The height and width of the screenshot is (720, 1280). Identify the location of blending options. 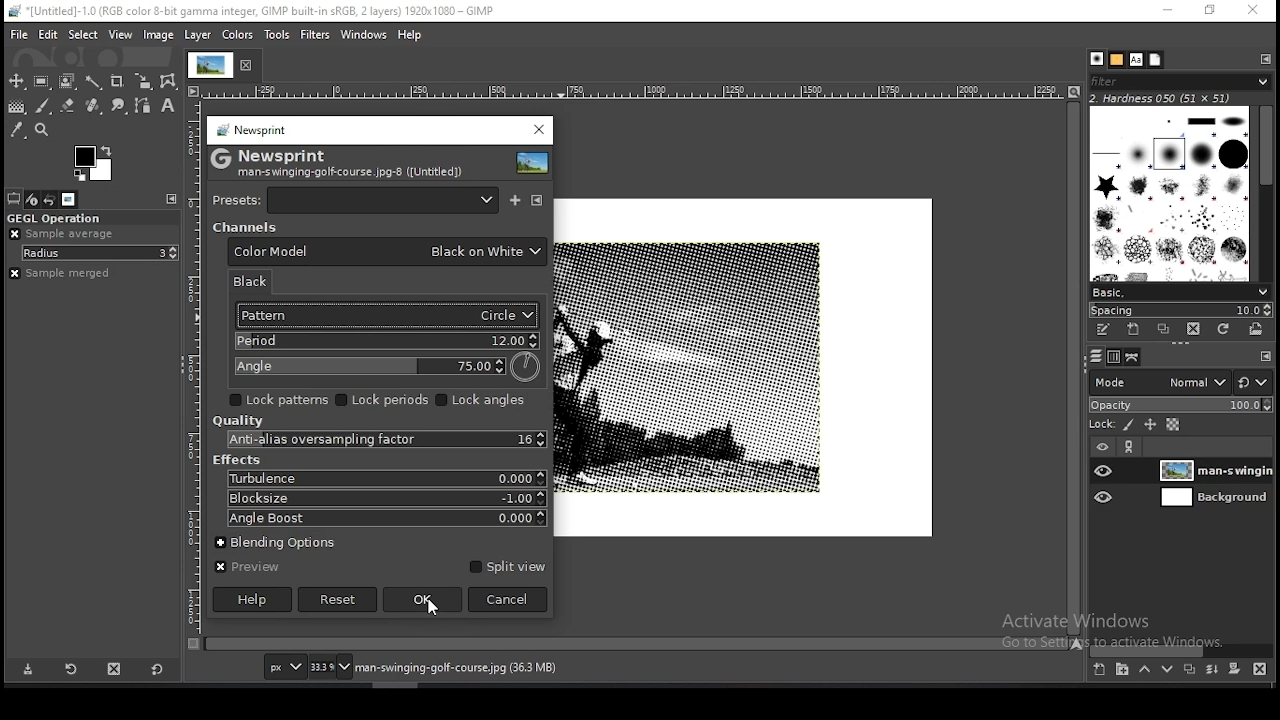
(286, 540).